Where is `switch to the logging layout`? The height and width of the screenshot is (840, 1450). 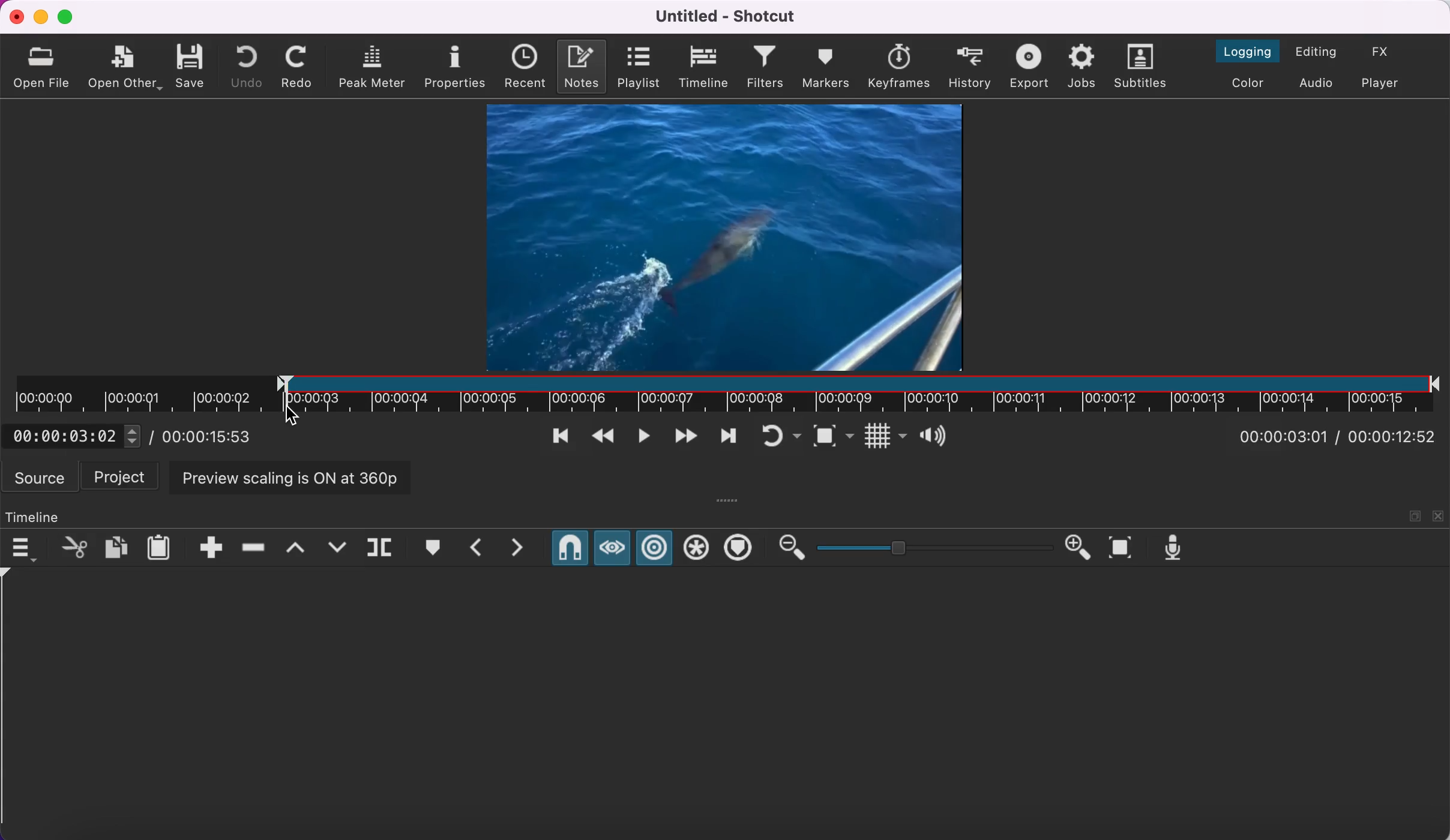
switch to the logging layout is located at coordinates (1251, 51).